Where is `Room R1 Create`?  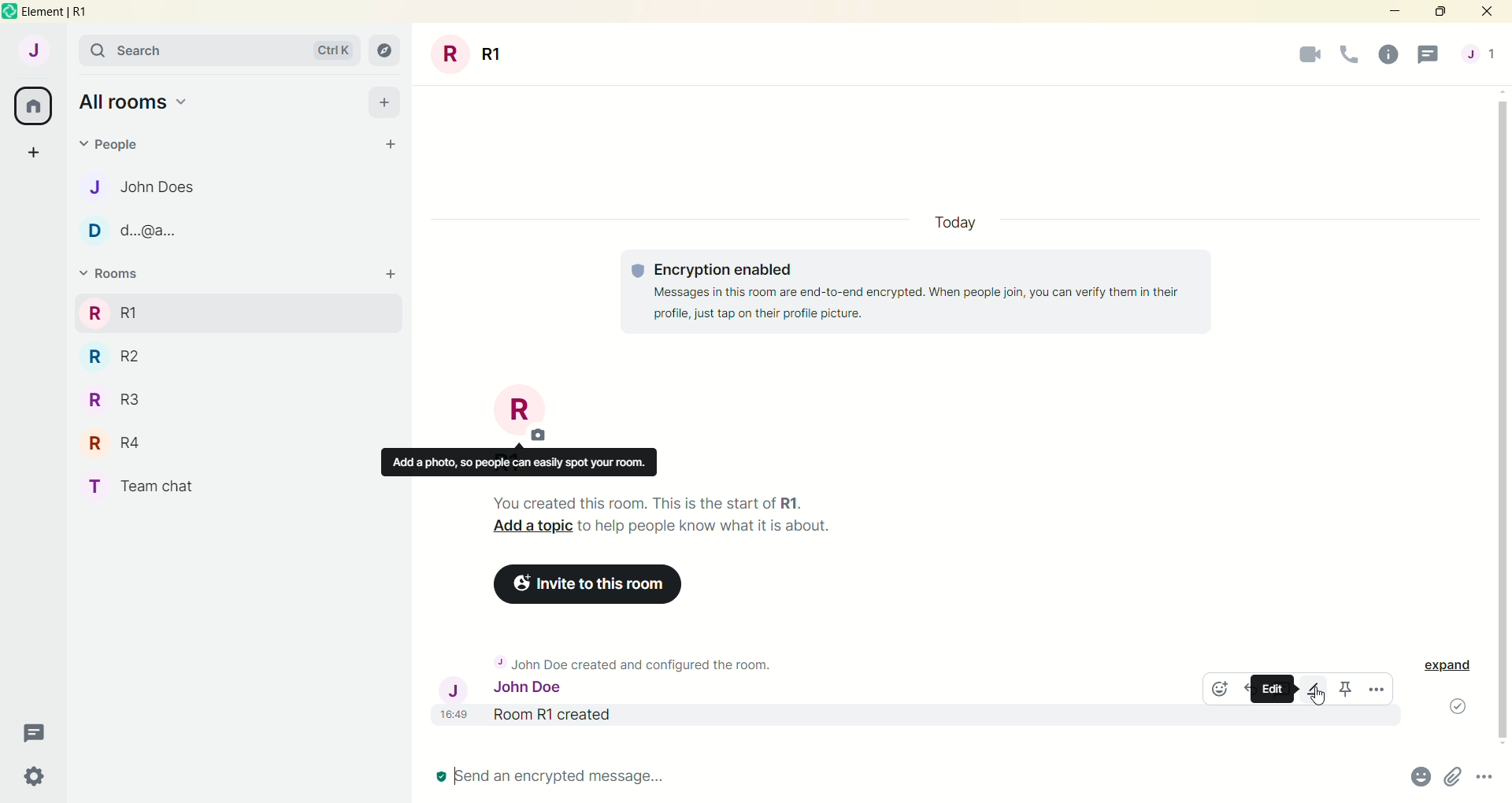
Room R1 Create is located at coordinates (636, 717).